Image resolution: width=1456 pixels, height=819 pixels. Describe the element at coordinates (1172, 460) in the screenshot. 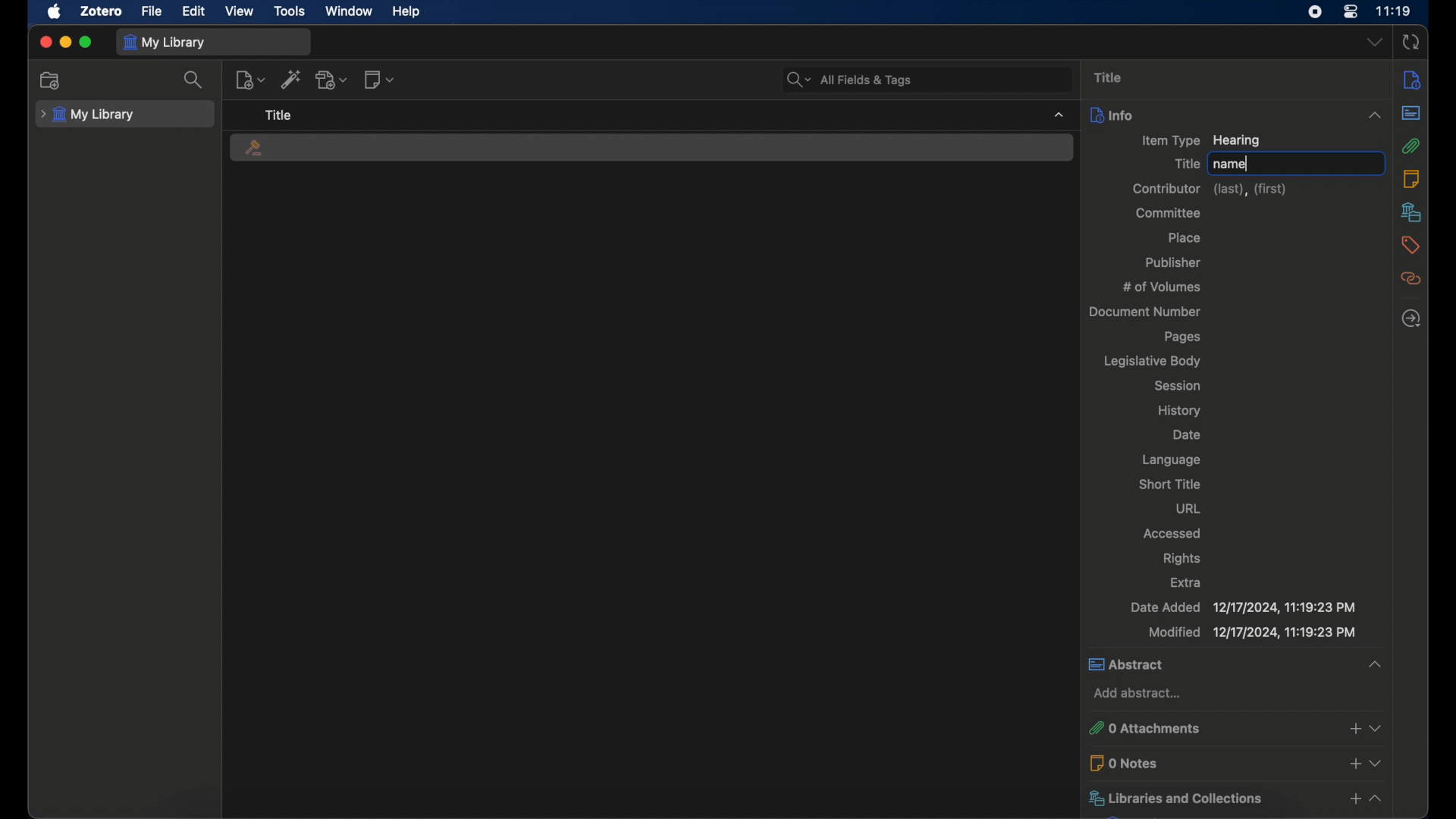

I see `language` at that location.